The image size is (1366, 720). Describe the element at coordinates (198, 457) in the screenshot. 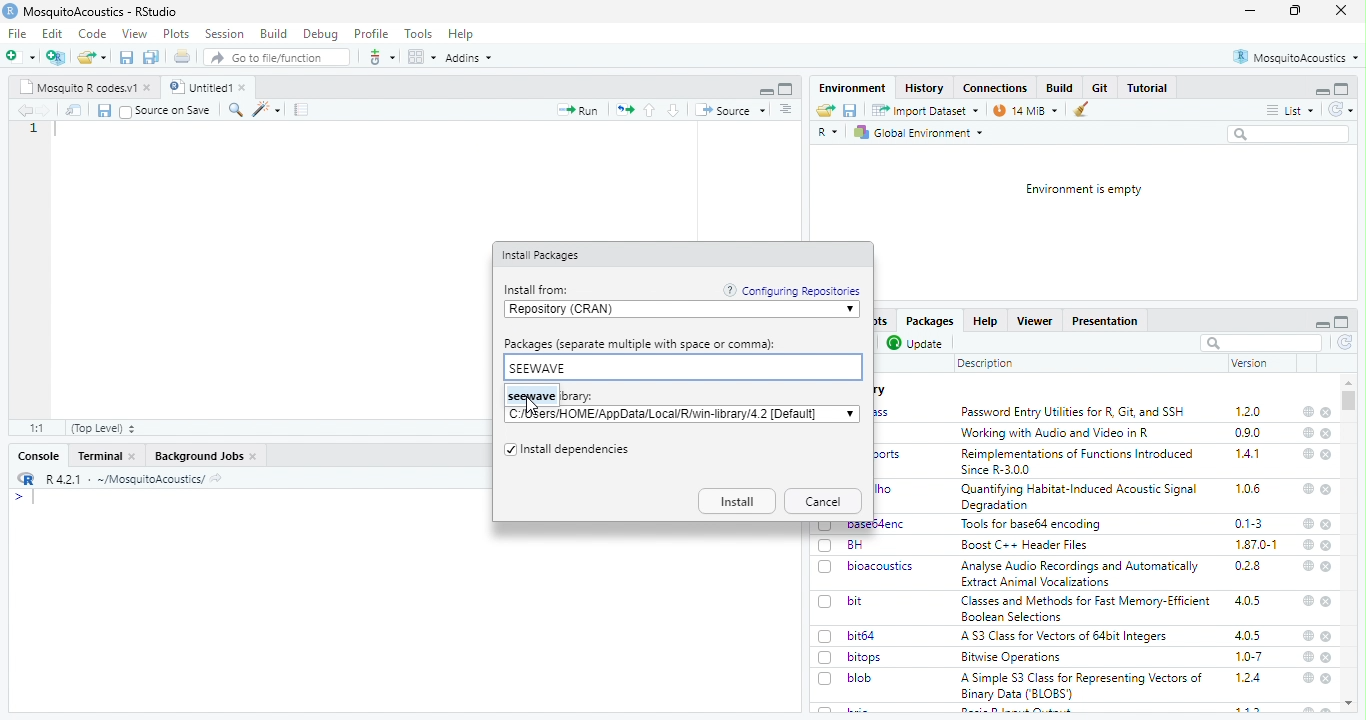

I see `Background Jobs` at that location.